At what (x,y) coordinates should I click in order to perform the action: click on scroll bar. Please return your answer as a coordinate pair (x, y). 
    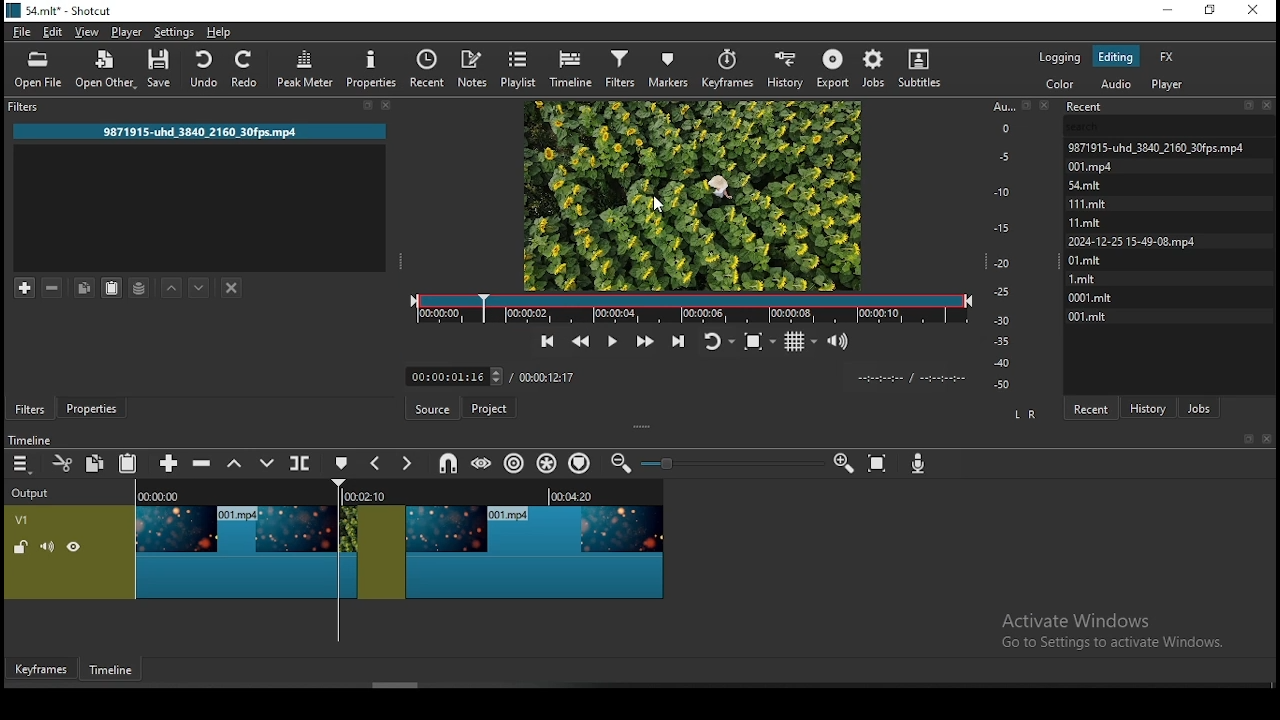
    Looking at the image, I should click on (404, 685).